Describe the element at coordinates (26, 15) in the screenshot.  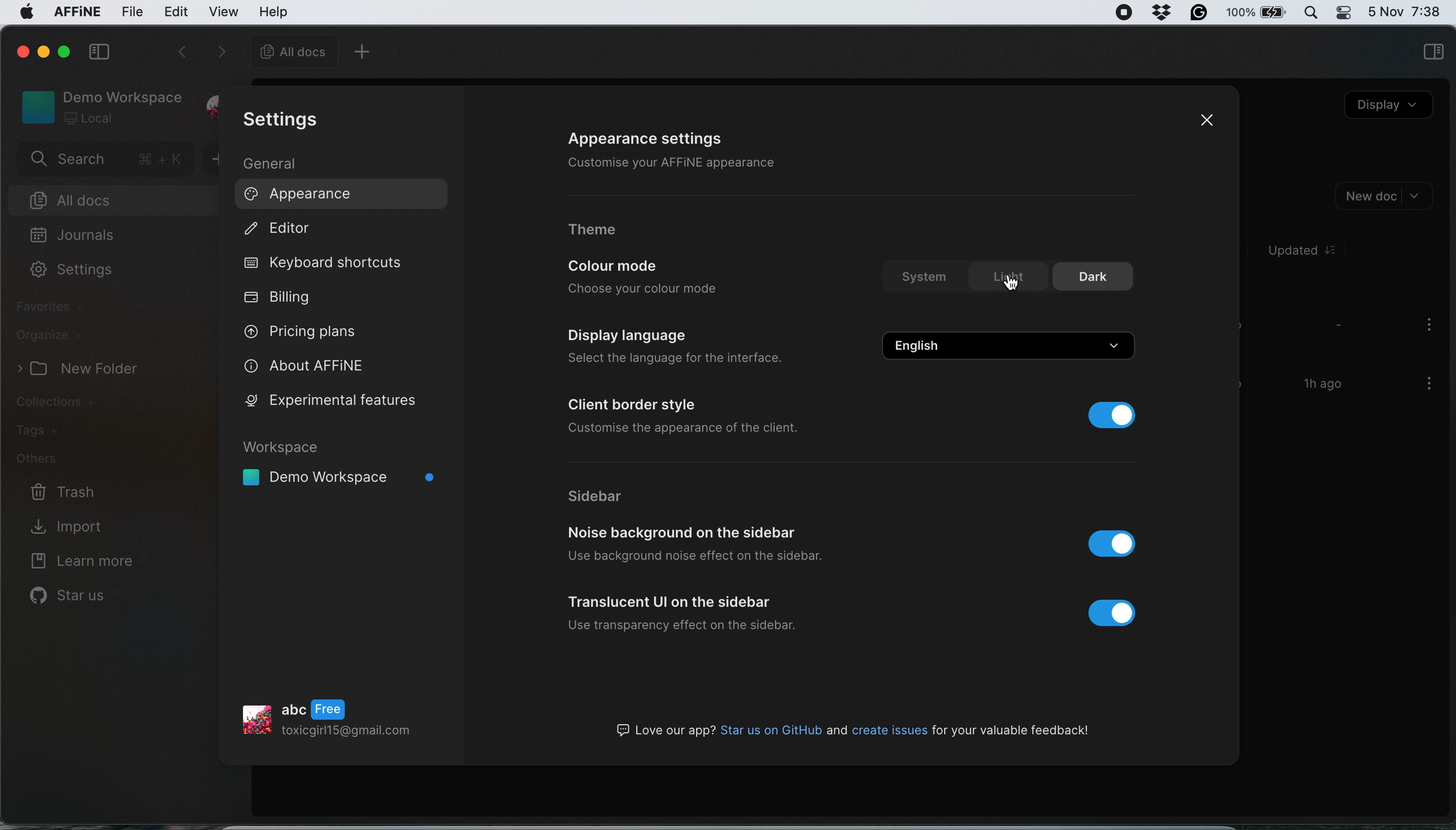
I see `system logo` at that location.